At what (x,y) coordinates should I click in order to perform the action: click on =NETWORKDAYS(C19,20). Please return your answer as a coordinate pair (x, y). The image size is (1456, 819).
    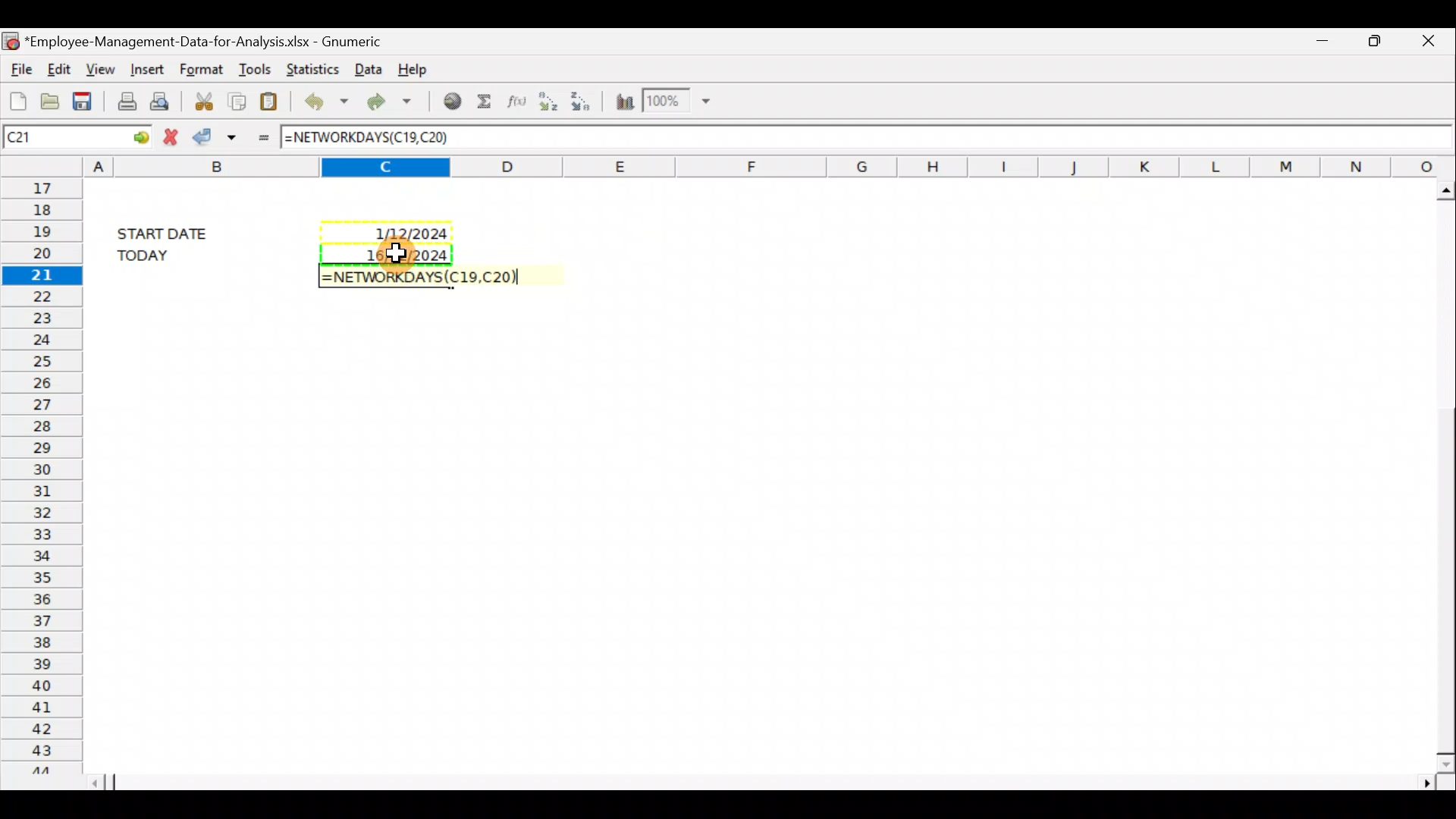
    Looking at the image, I should click on (428, 278).